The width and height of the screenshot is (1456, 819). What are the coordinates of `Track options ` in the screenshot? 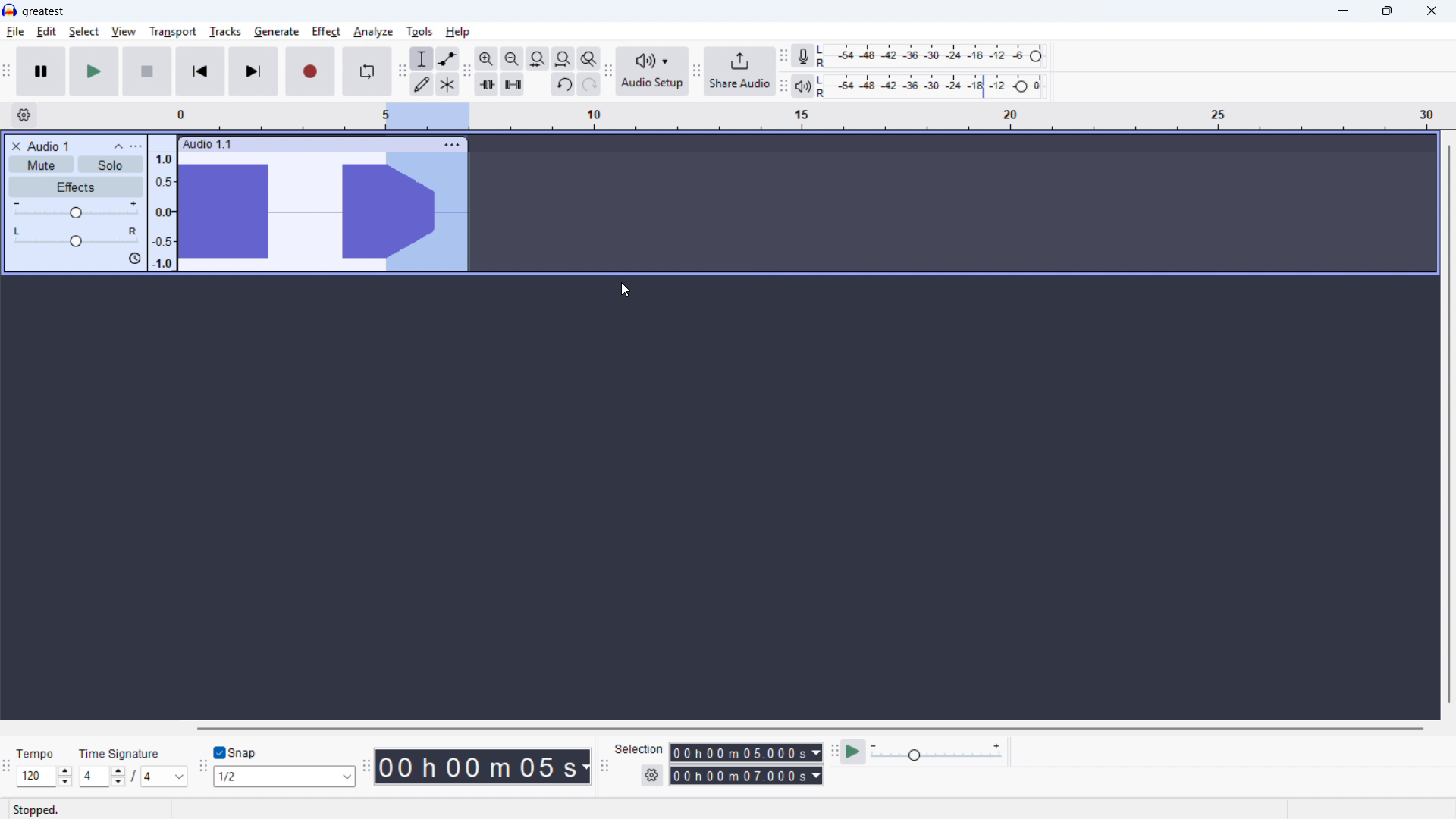 It's located at (453, 145).